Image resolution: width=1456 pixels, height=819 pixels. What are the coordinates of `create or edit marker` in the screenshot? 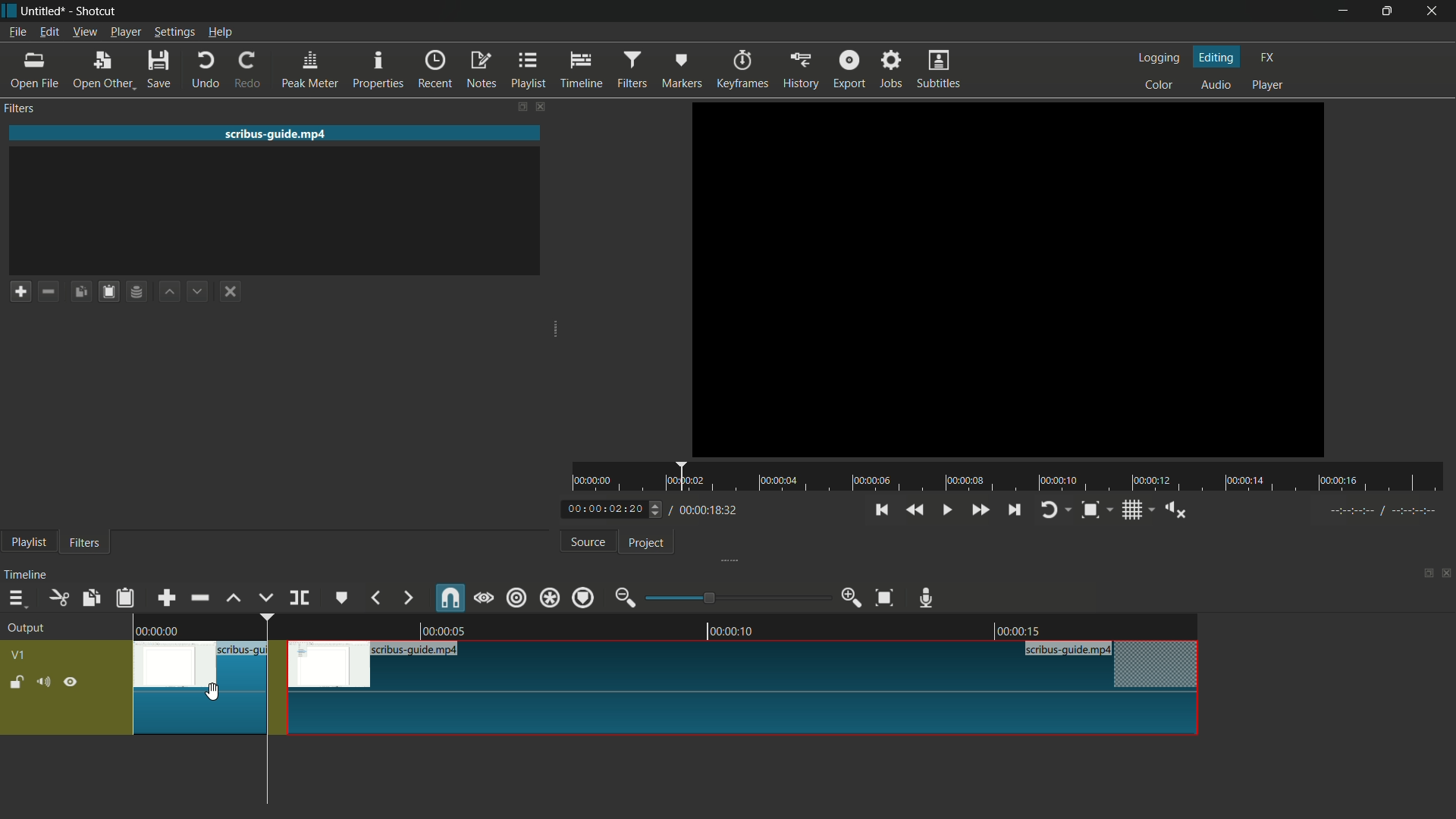 It's located at (344, 597).